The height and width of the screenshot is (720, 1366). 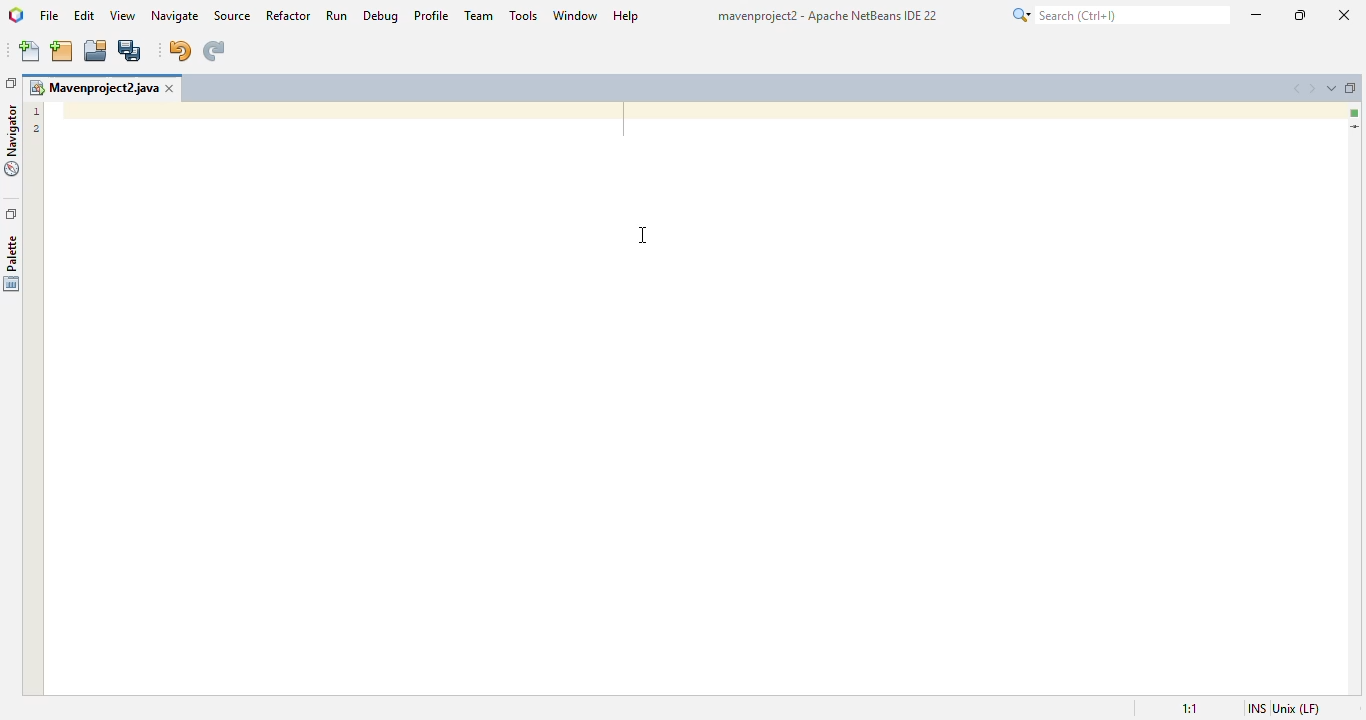 What do you see at coordinates (1300, 15) in the screenshot?
I see `maximize` at bounding box center [1300, 15].